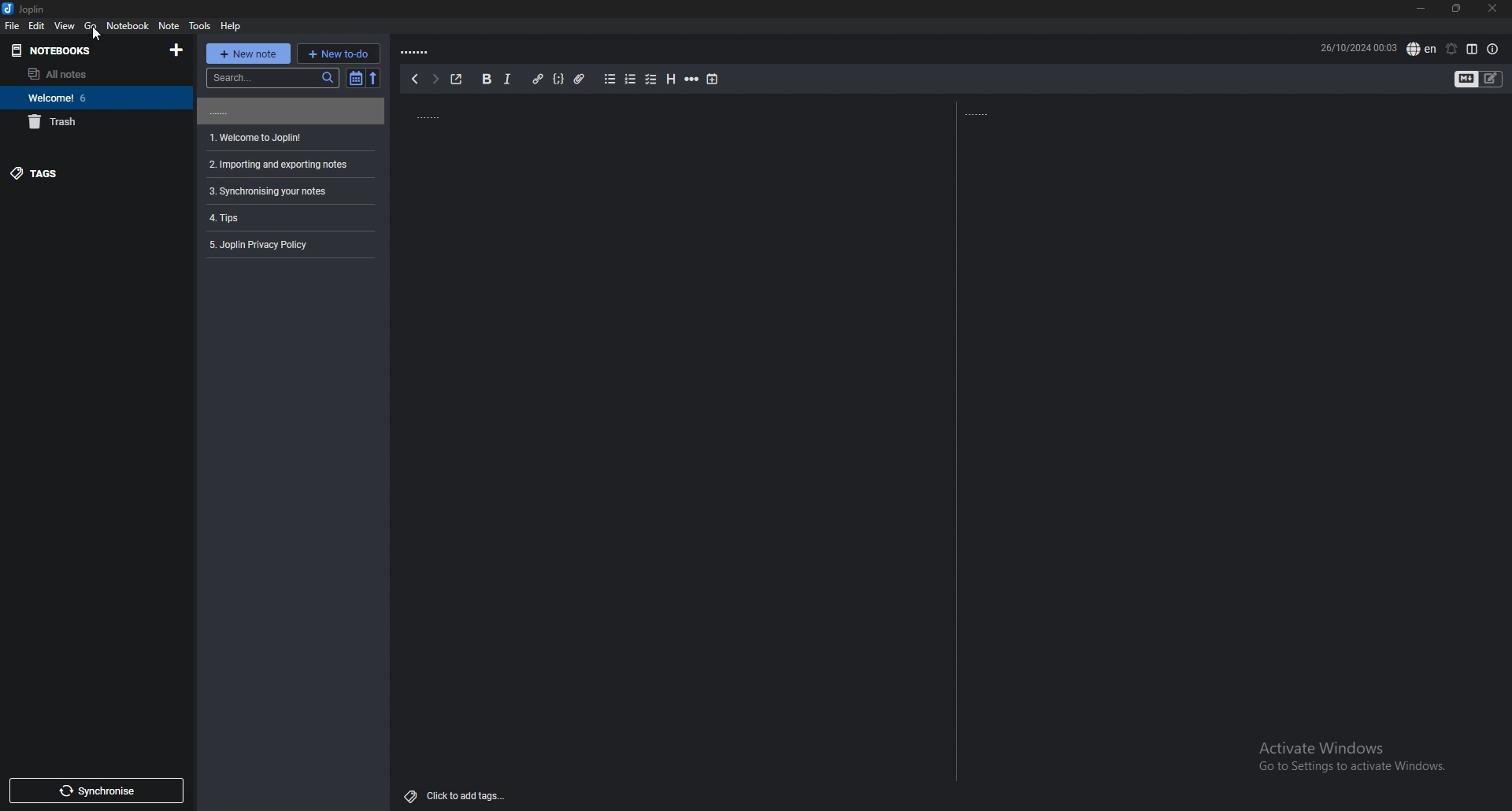 This screenshot has width=1512, height=811. I want to click on note, so click(169, 25).